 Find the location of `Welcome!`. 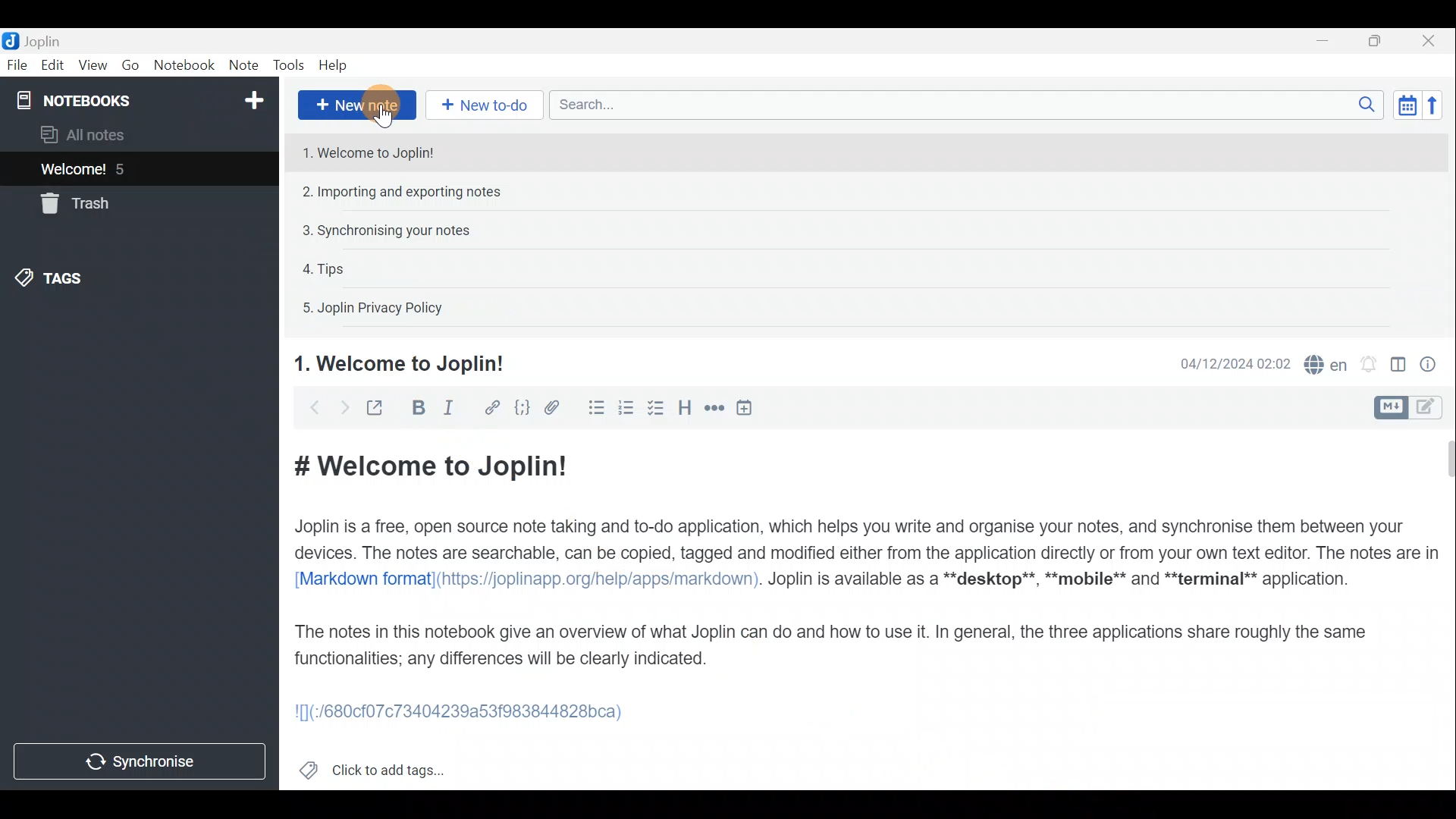

Welcome! is located at coordinates (74, 171).